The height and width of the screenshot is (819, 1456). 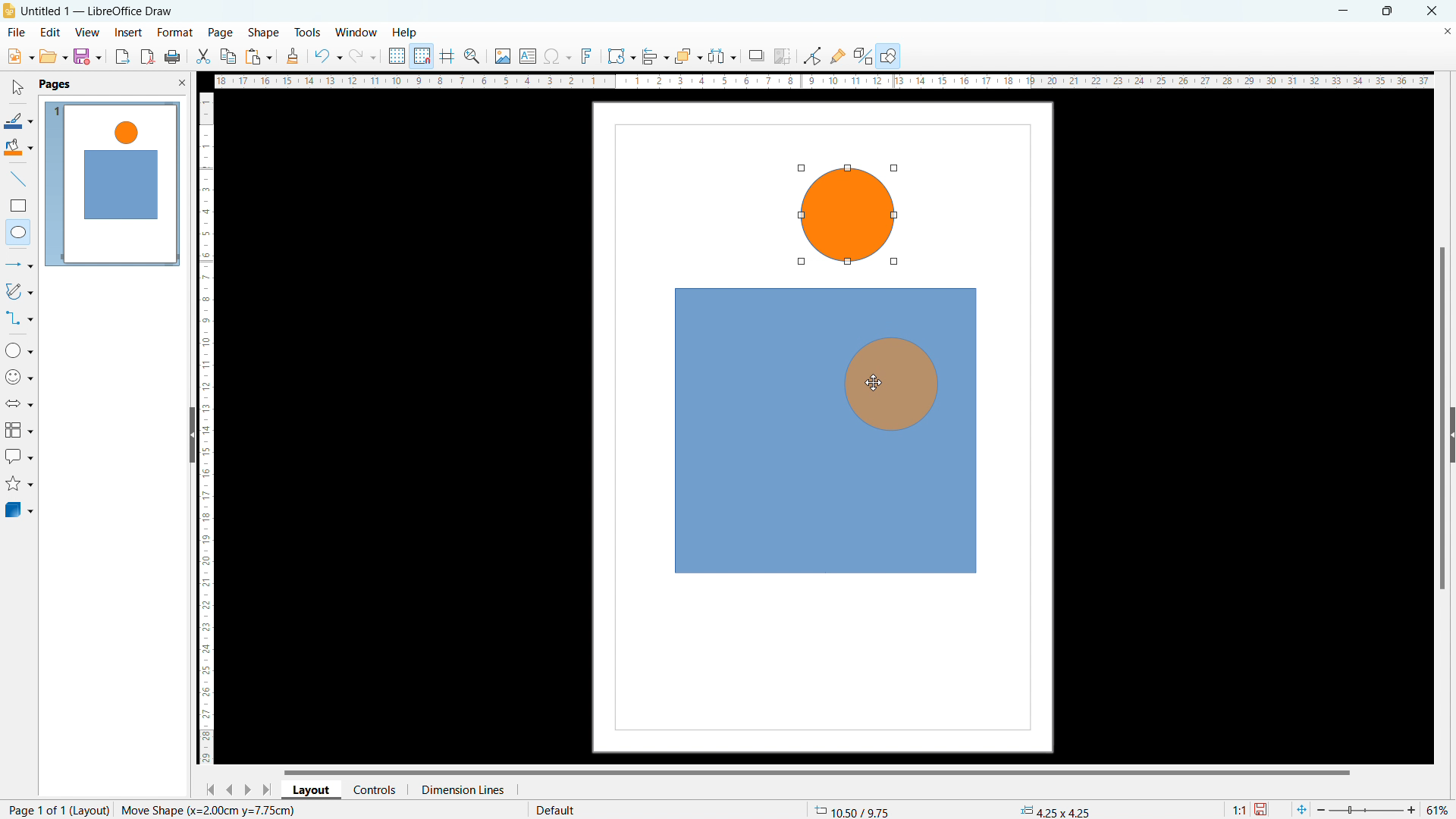 What do you see at coordinates (422, 55) in the screenshot?
I see `snap to grid` at bounding box center [422, 55].